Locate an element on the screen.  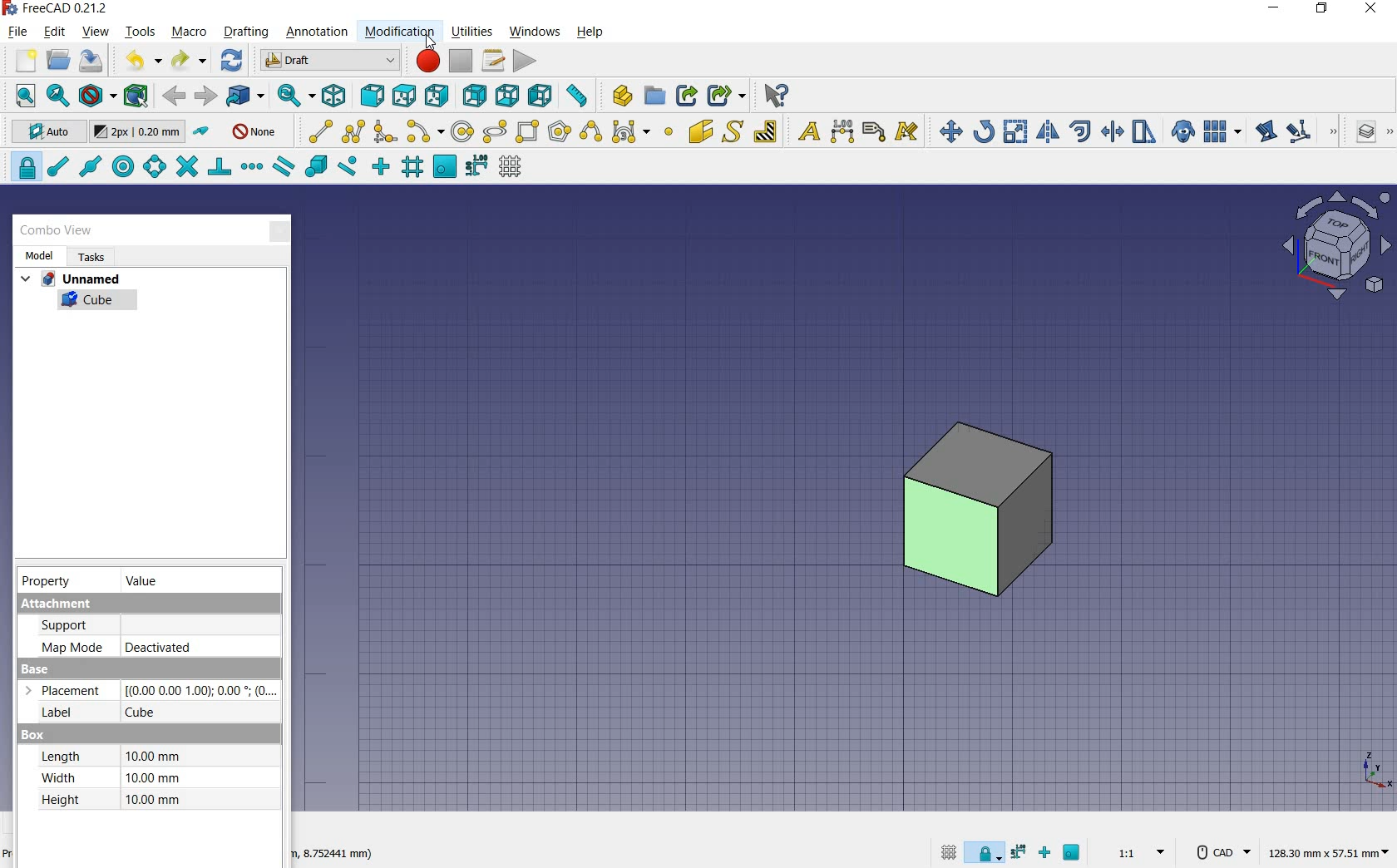
facebinder is located at coordinates (699, 131).